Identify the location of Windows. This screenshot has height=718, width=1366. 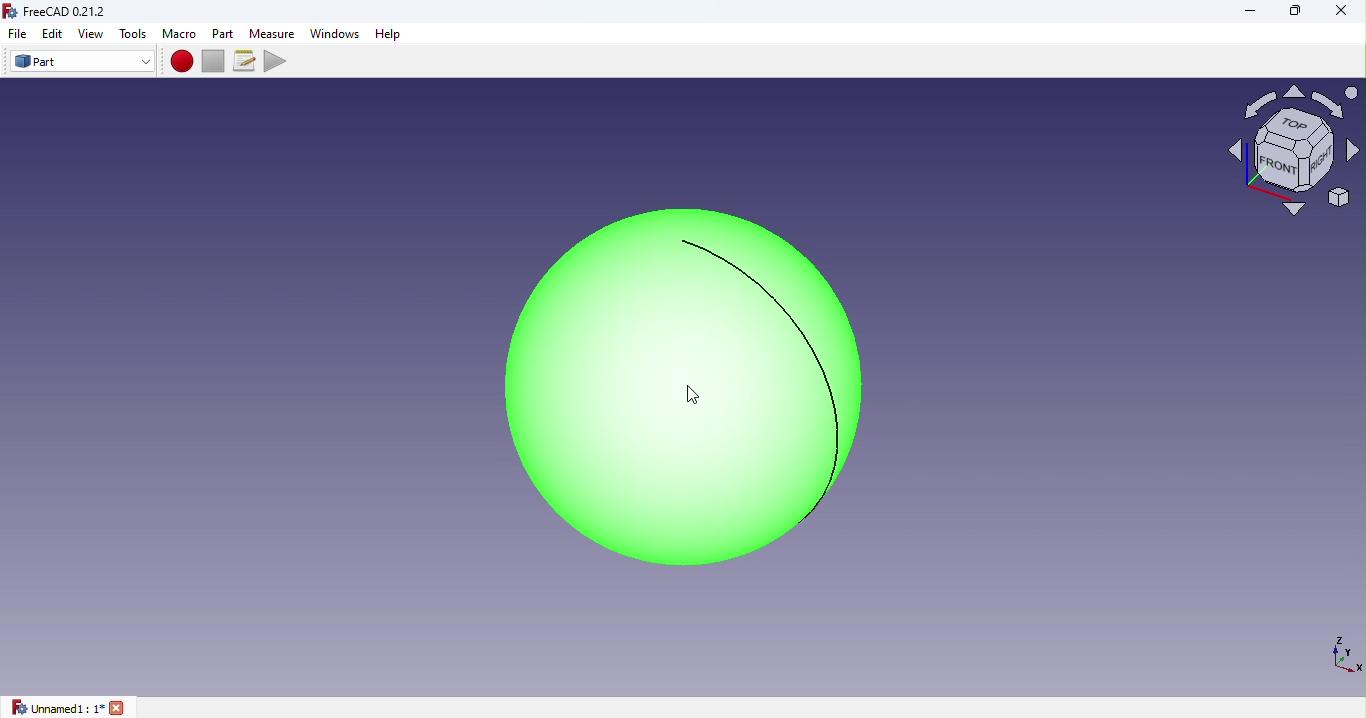
(334, 34).